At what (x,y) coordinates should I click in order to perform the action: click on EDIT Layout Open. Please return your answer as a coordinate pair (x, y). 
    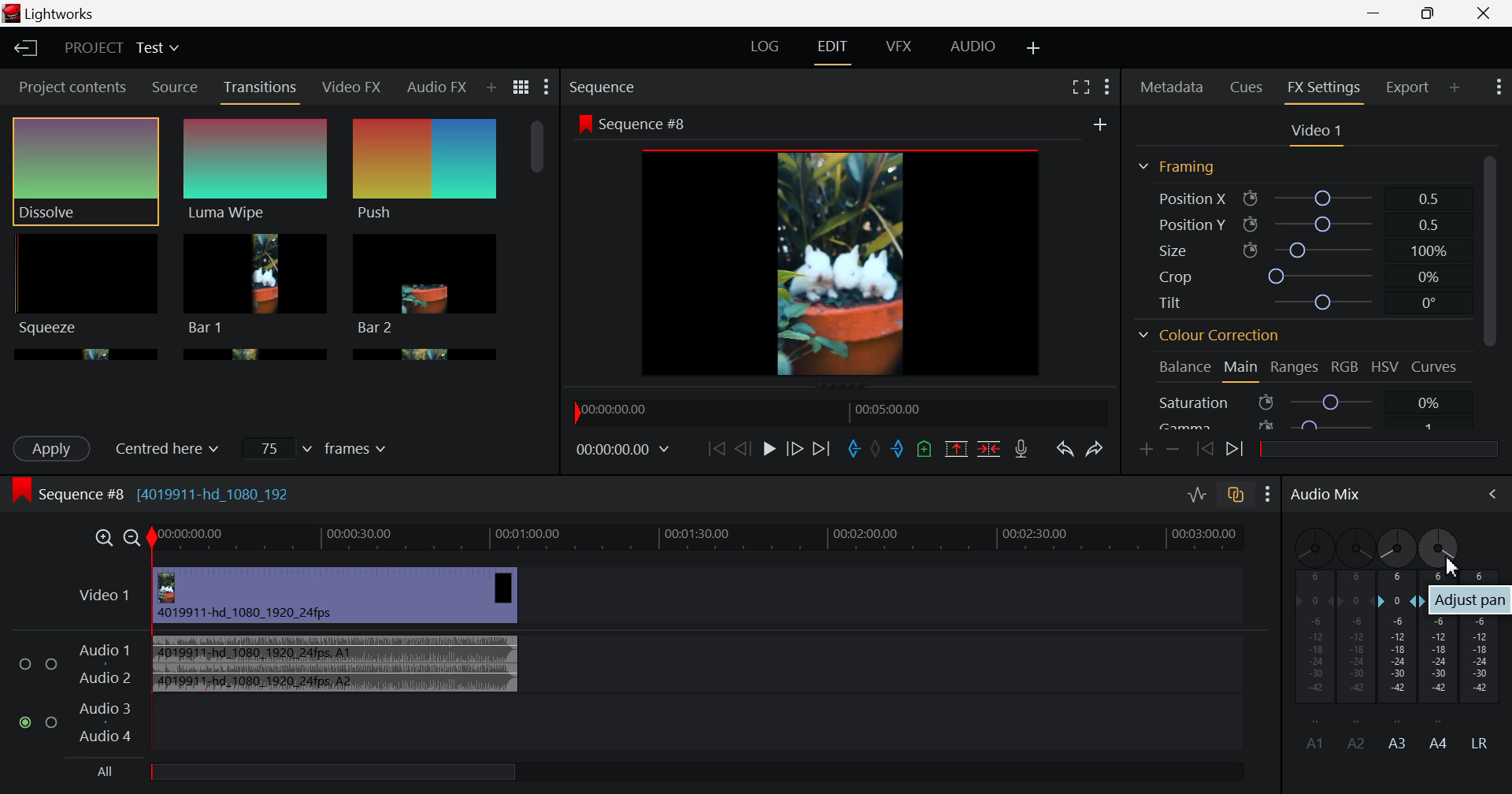
    Looking at the image, I should click on (831, 50).